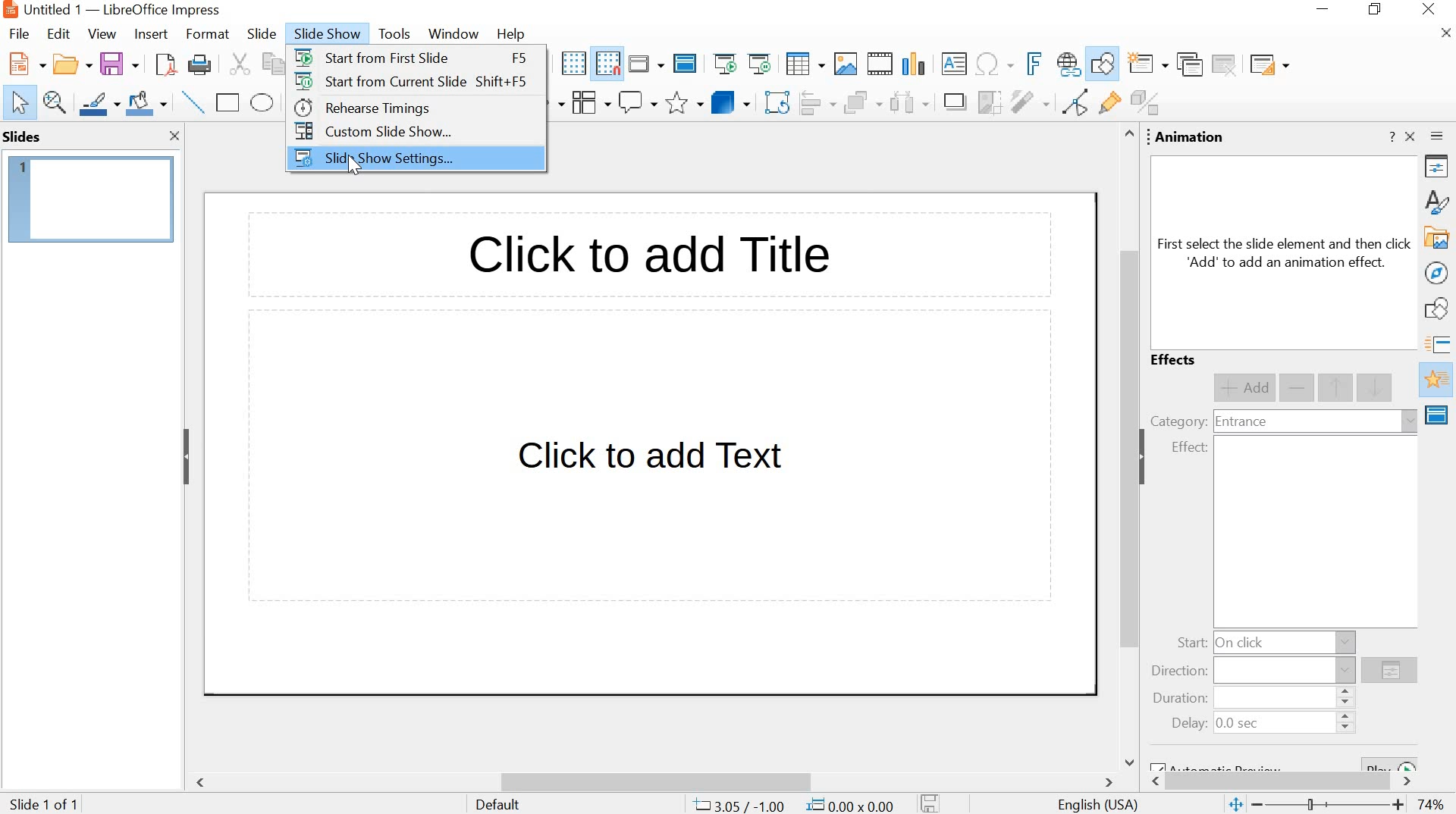 The height and width of the screenshot is (814, 1456). Describe the element at coordinates (357, 166) in the screenshot. I see `cursor` at that location.